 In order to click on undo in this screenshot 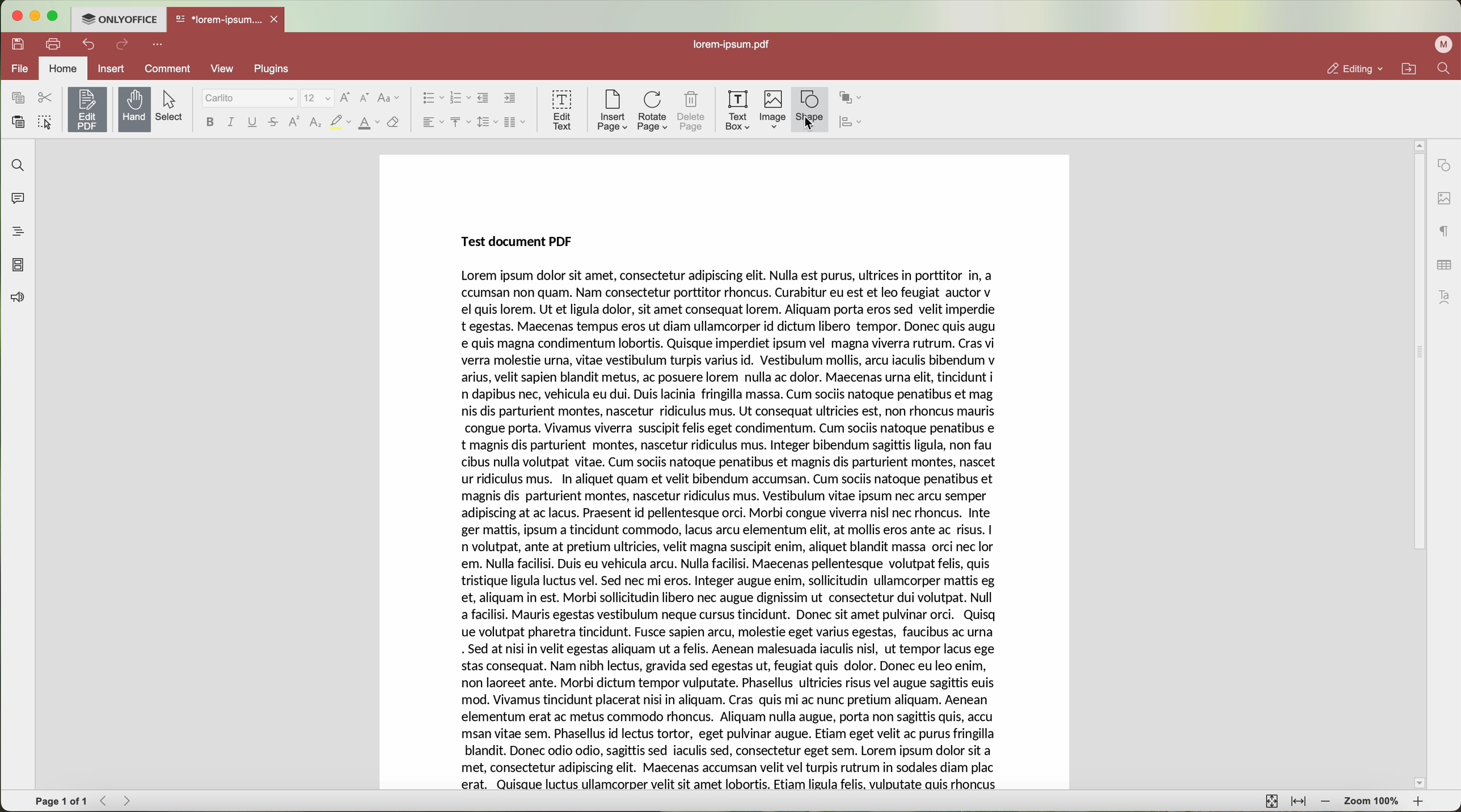, I will do `click(90, 44)`.